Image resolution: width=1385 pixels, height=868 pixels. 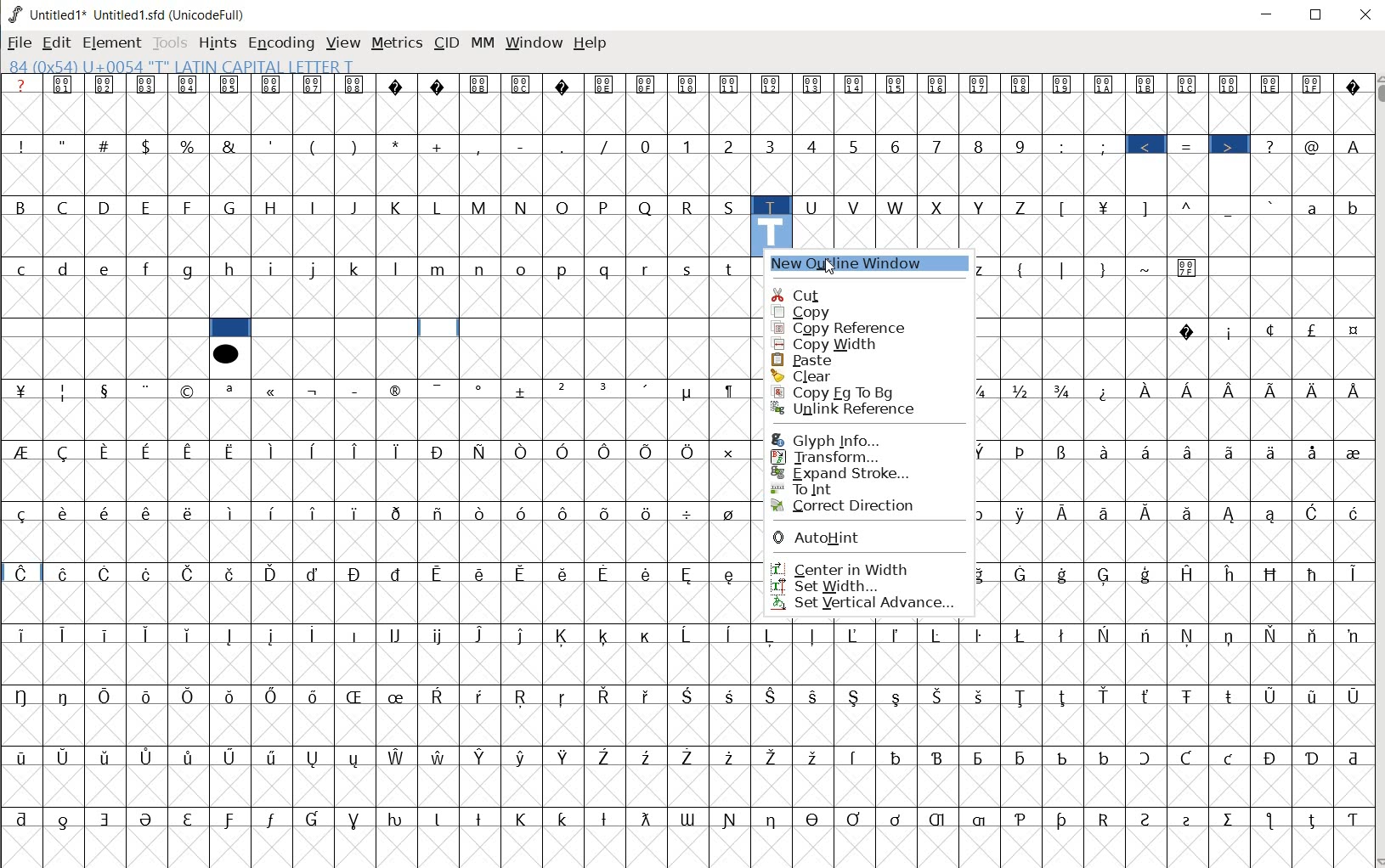 I want to click on Symbol, so click(x=1314, y=573).